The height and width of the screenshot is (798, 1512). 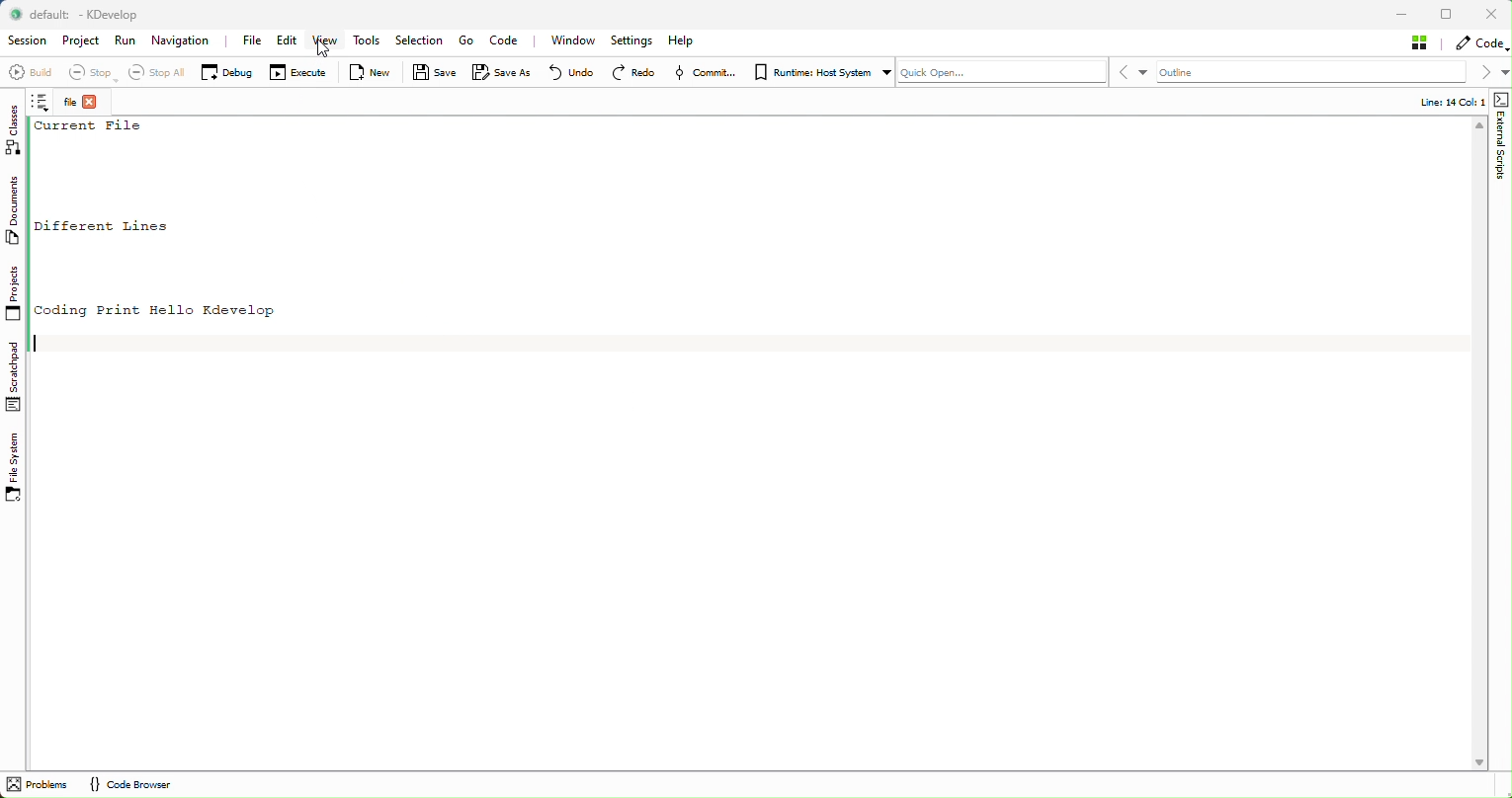 I want to click on File, so click(x=252, y=40).